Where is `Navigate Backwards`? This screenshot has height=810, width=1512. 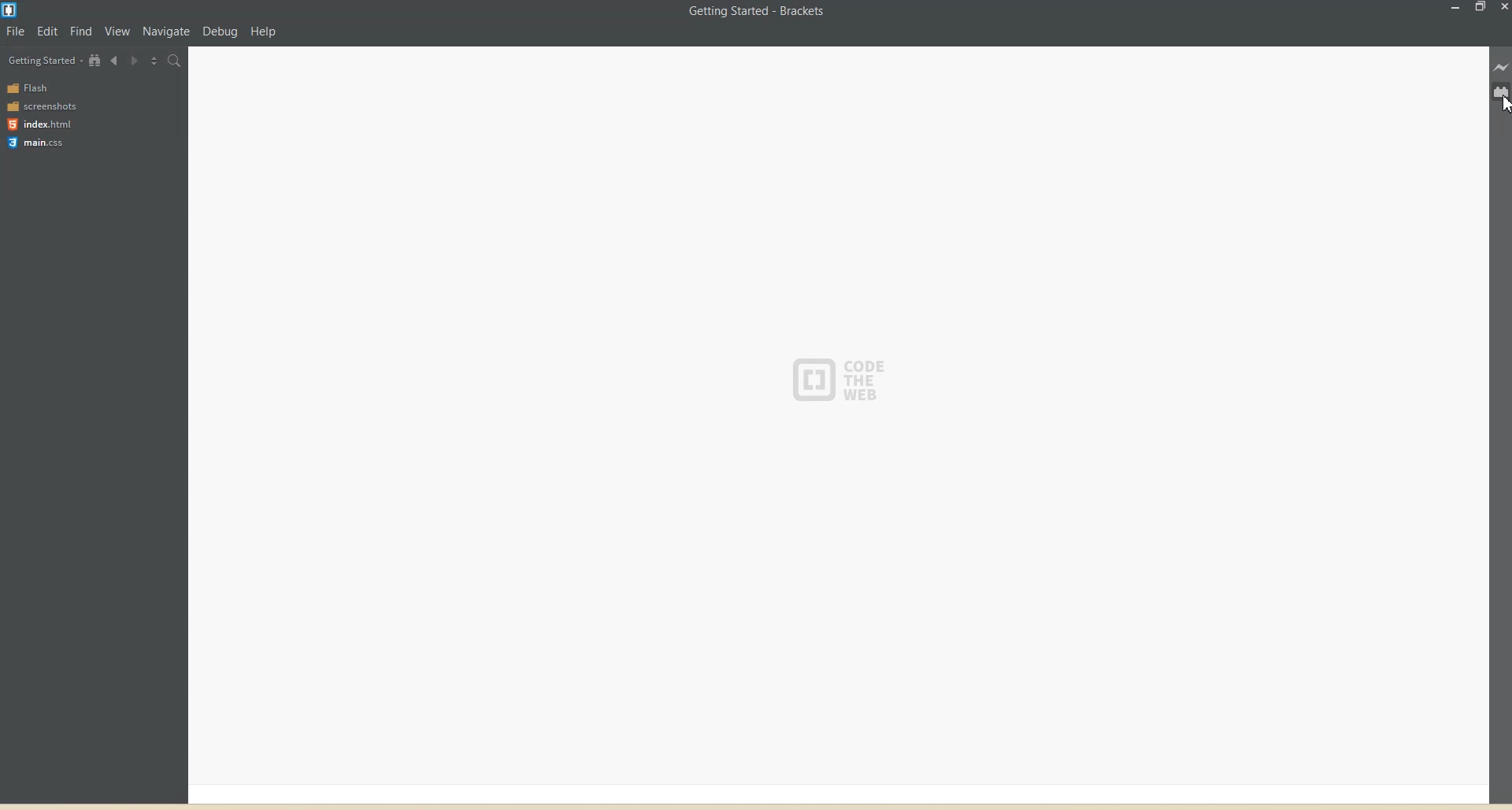
Navigate Backwards is located at coordinates (115, 59).